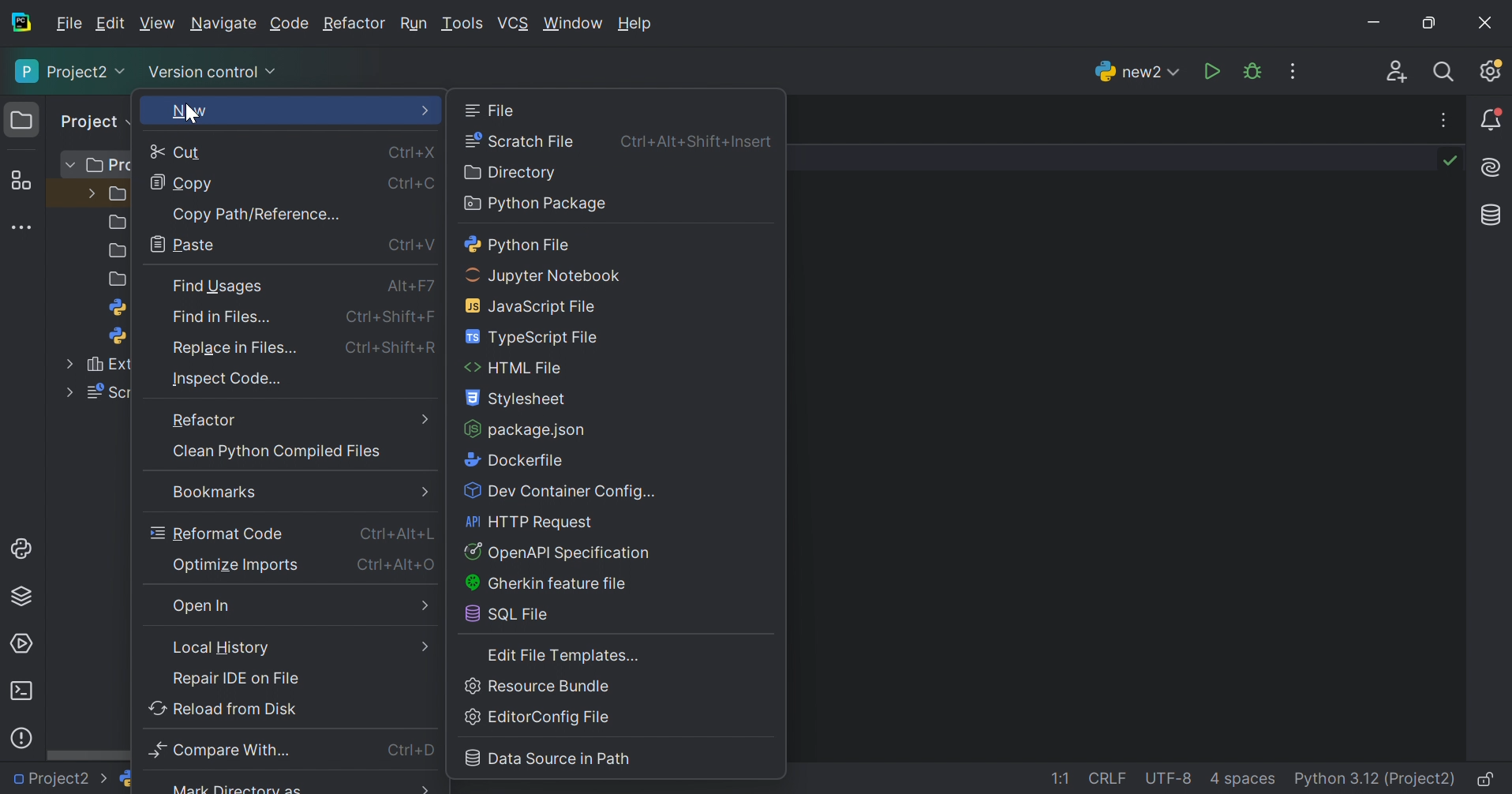 The width and height of the screenshot is (1512, 794). Describe the element at coordinates (399, 564) in the screenshot. I see `Ctrl+Alt+O` at that location.